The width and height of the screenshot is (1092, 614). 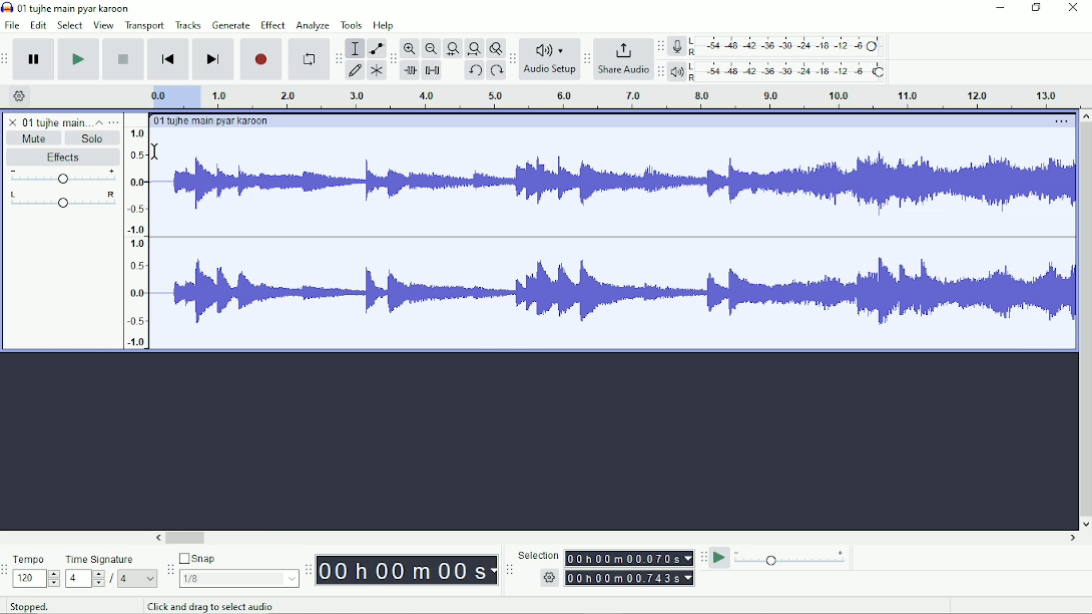 I want to click on Record Meter, so click(x=779, y=46).